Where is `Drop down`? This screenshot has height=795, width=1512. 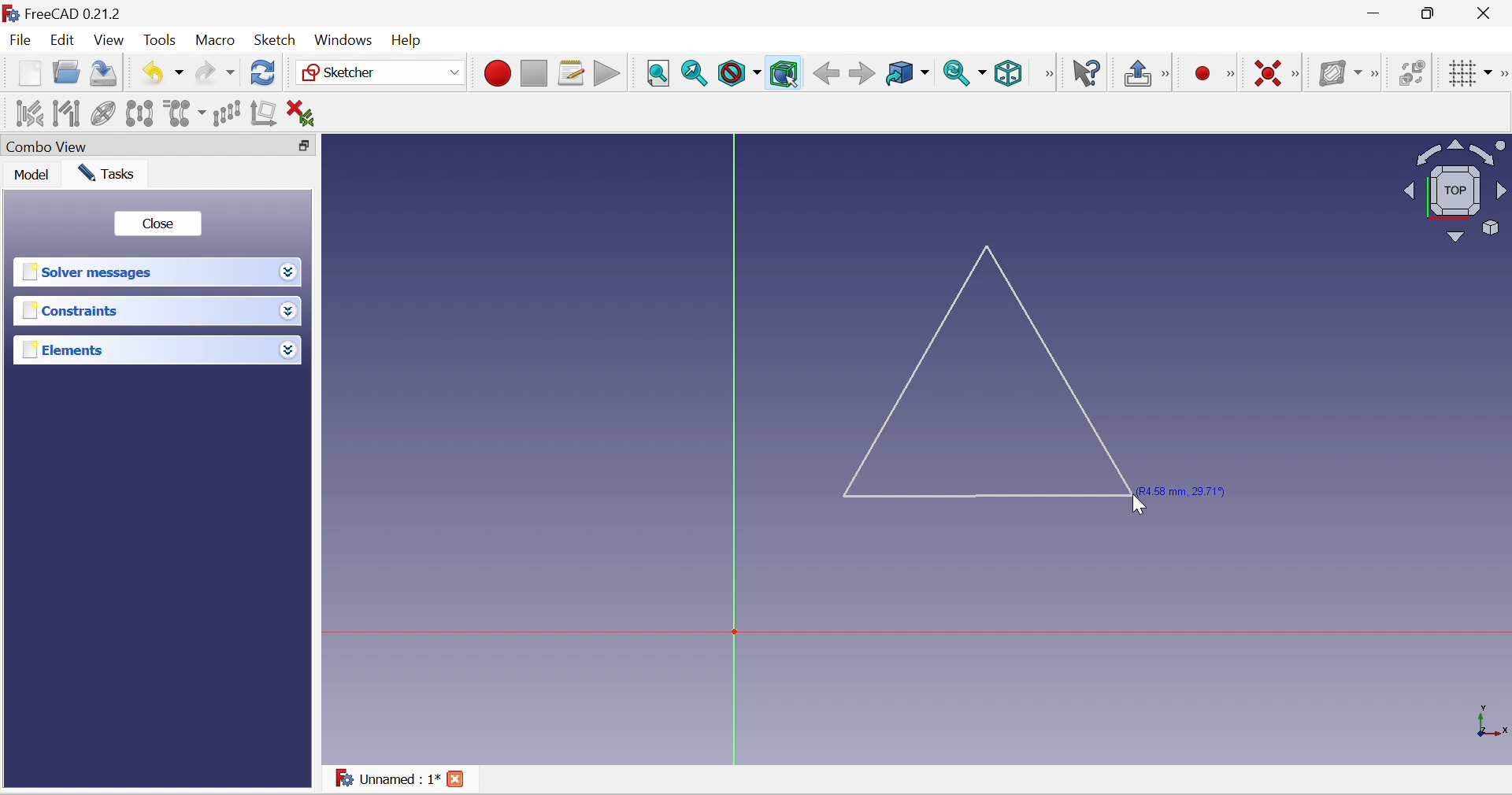
Drop down is located at coordinates (289, 349).